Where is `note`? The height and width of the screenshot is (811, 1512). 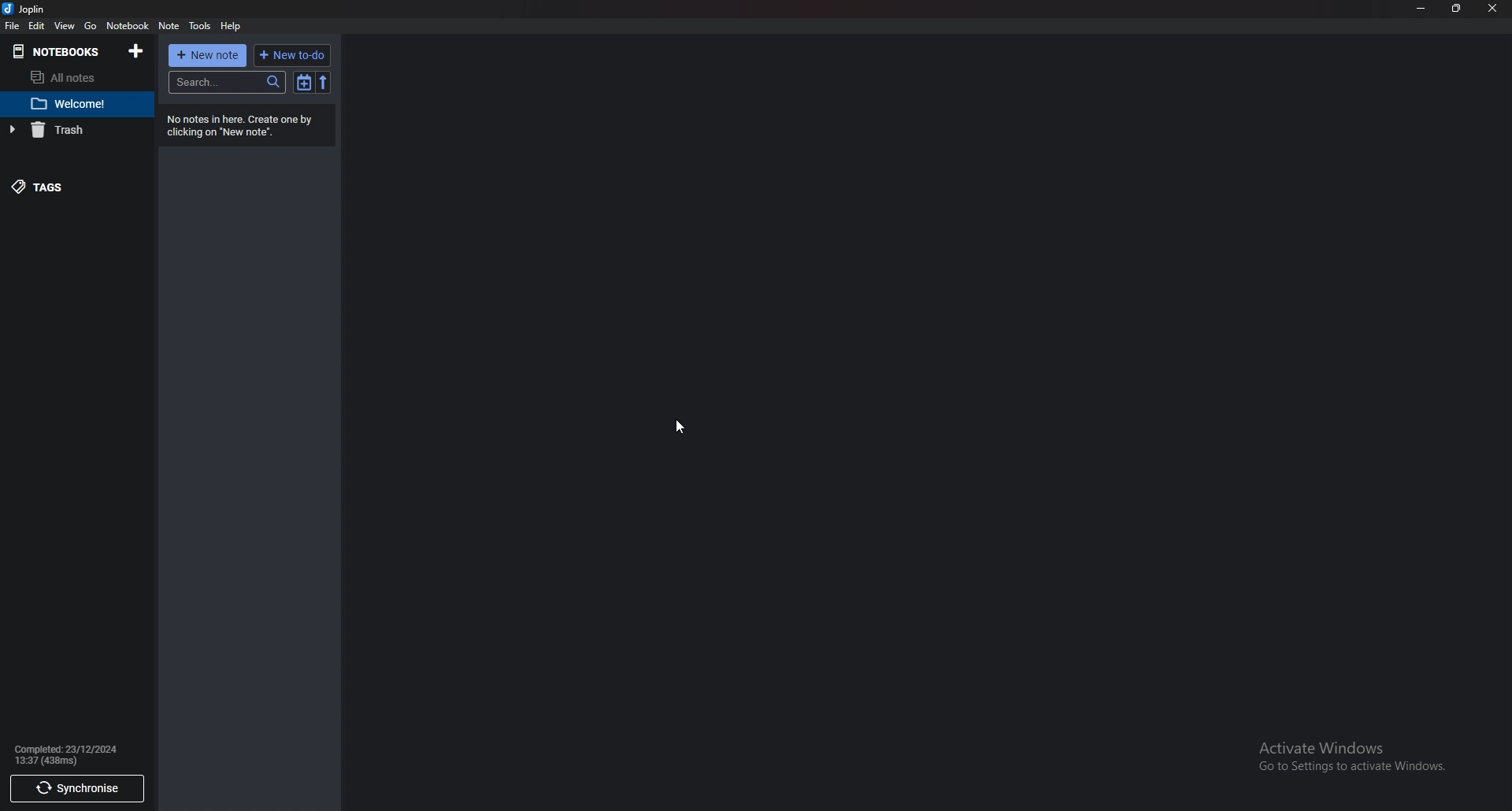 note is located at coordinates (169, 26).